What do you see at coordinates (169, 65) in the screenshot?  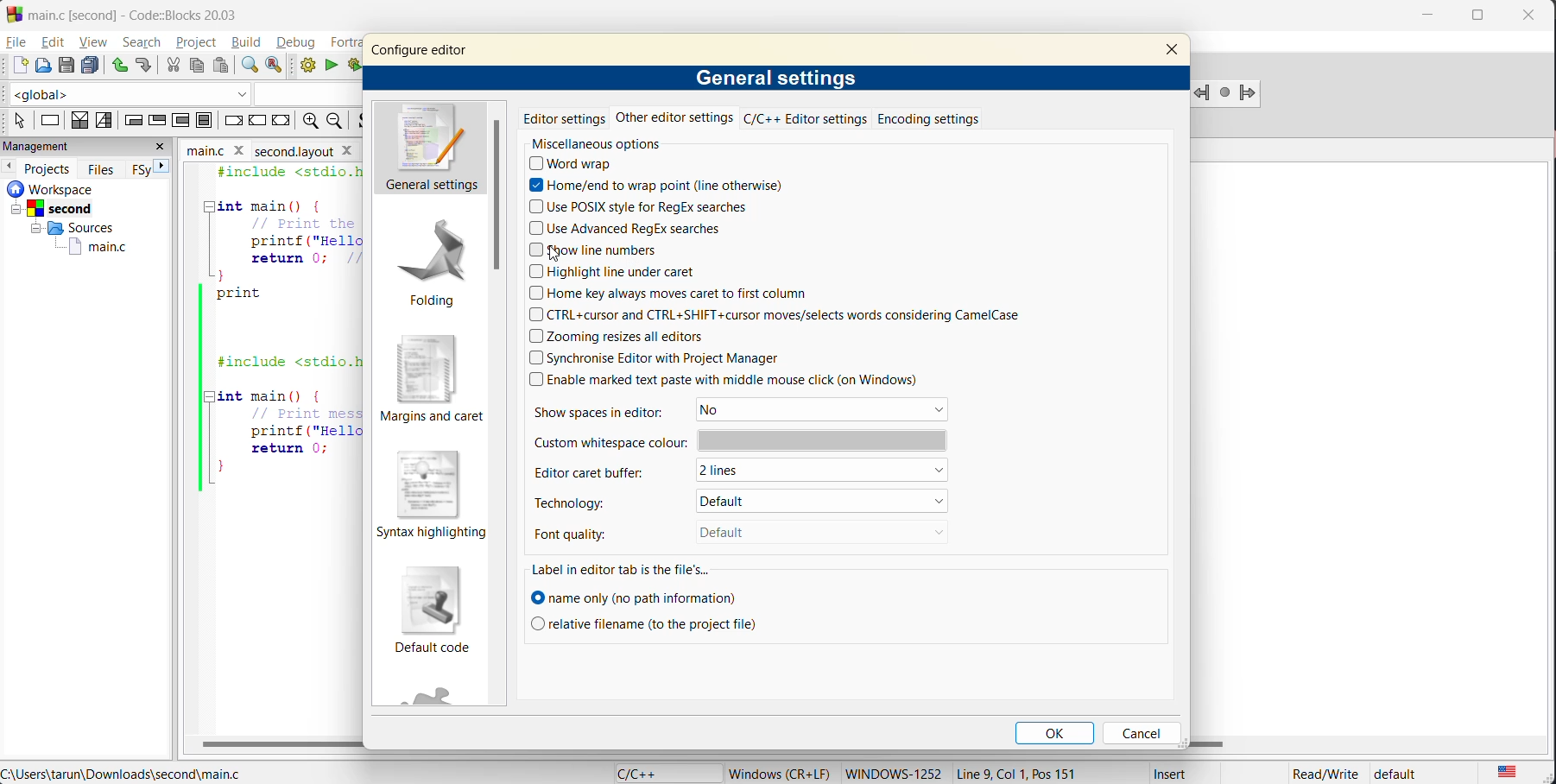 I see `cut` at bounding box center [169, 65].